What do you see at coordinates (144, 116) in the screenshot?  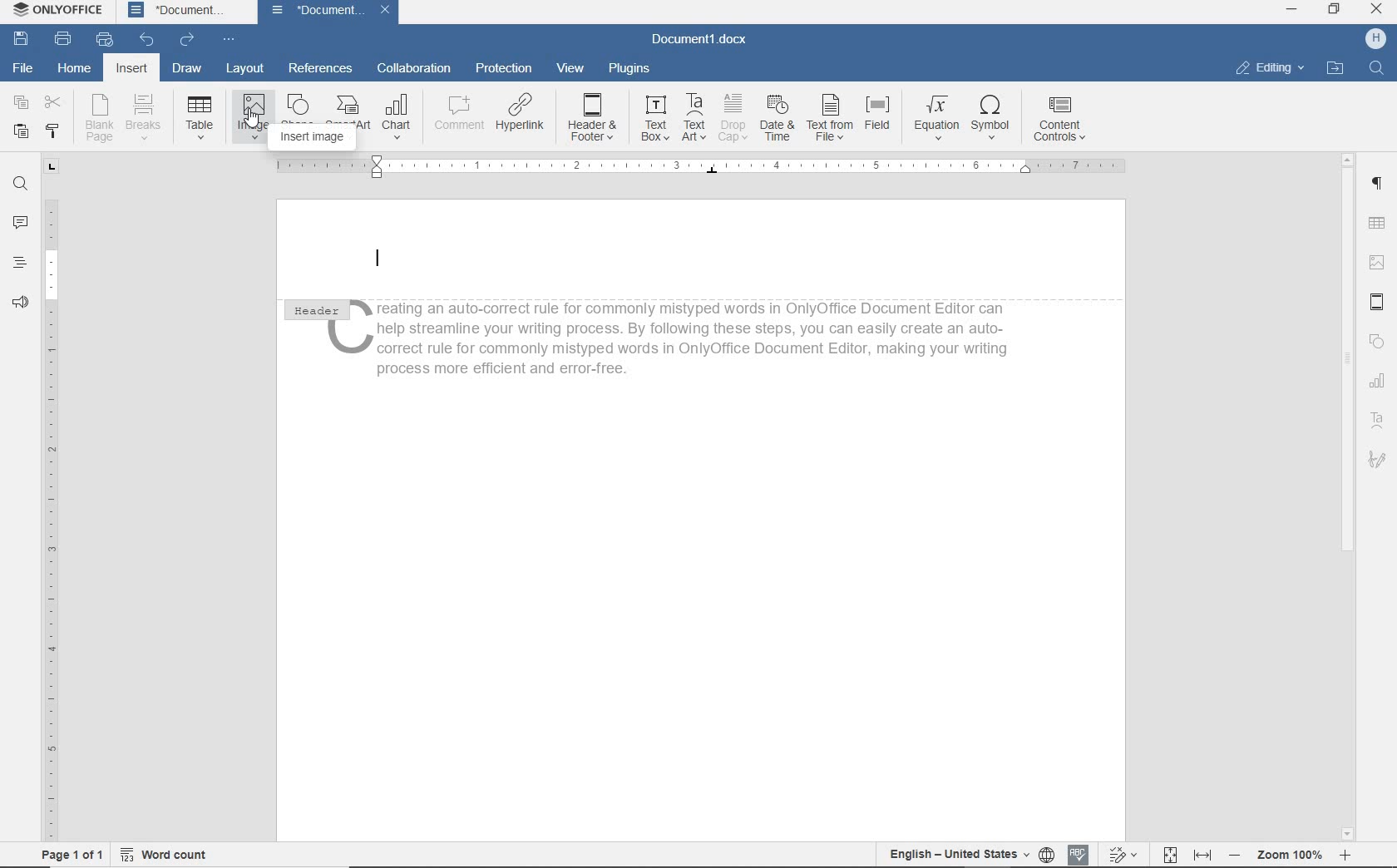 I see `BREAKS` at bounding box center [144, 116].